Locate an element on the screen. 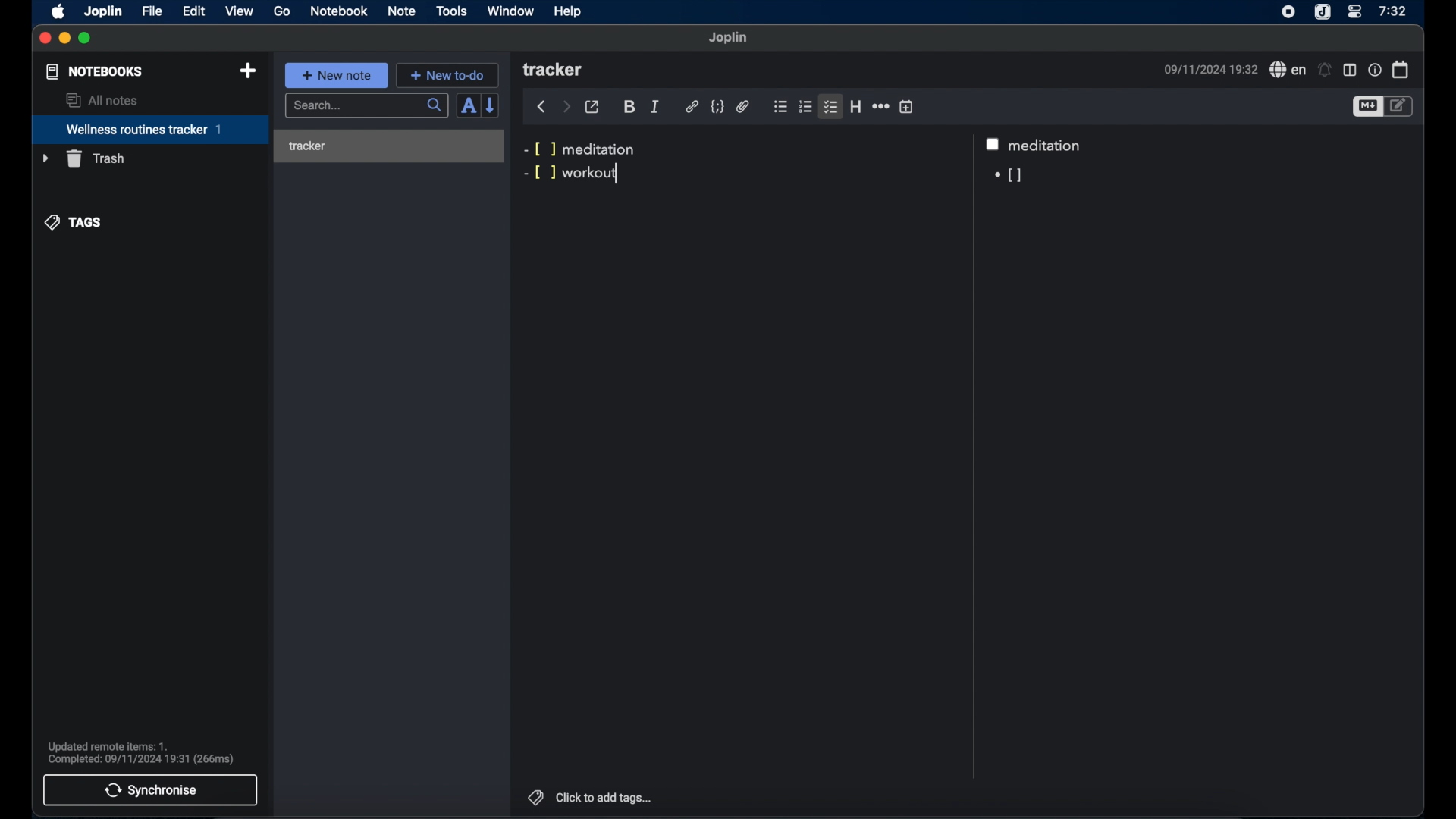 The width and height of the screenshot is (1456, 819). go is located at coordinates (282, 11).